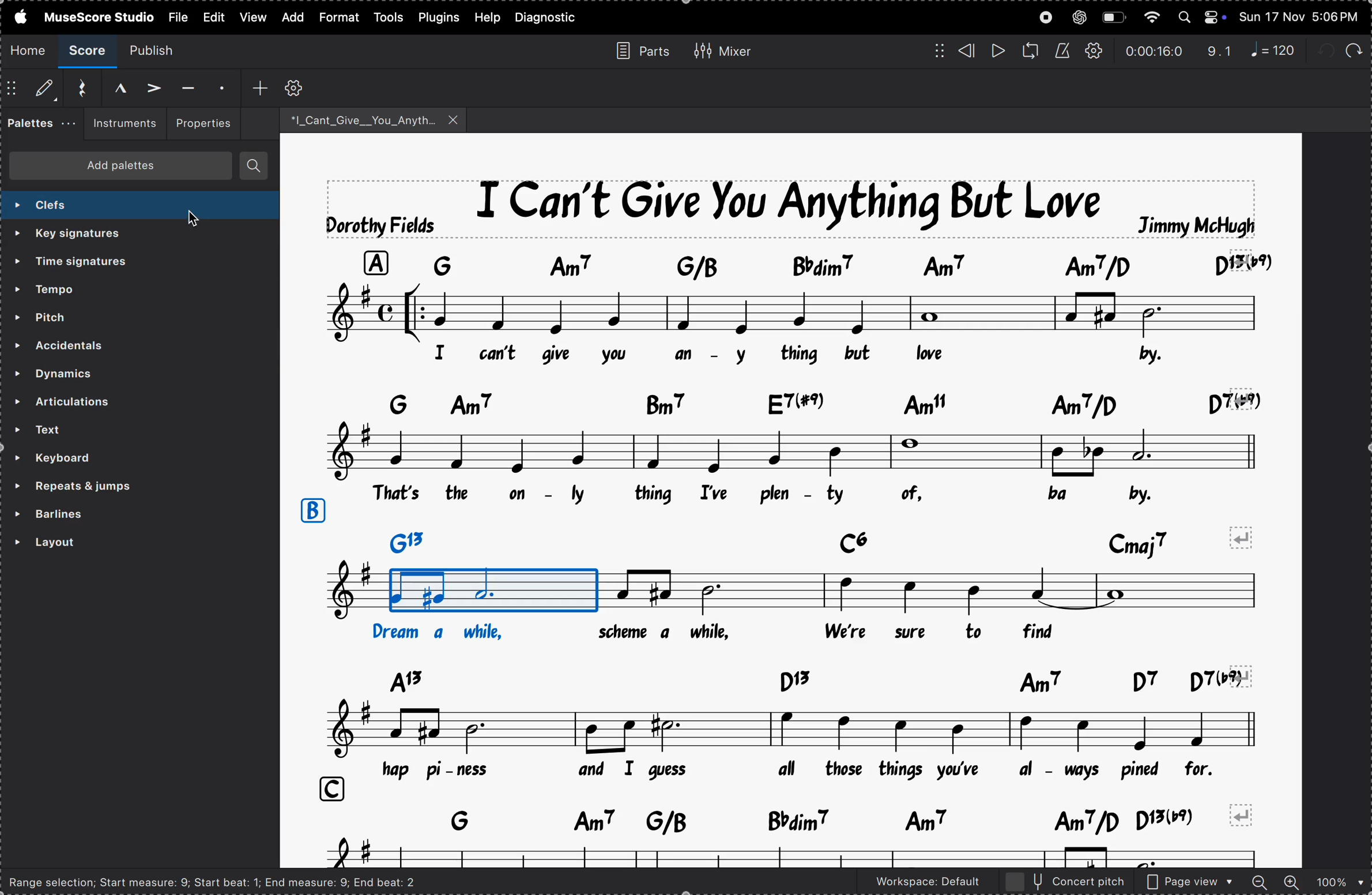 The image size is (1372, 895). What do you see at coordinates (917, 884) in the screenshot?
I see `worspace` at bounding box center [917, 884].